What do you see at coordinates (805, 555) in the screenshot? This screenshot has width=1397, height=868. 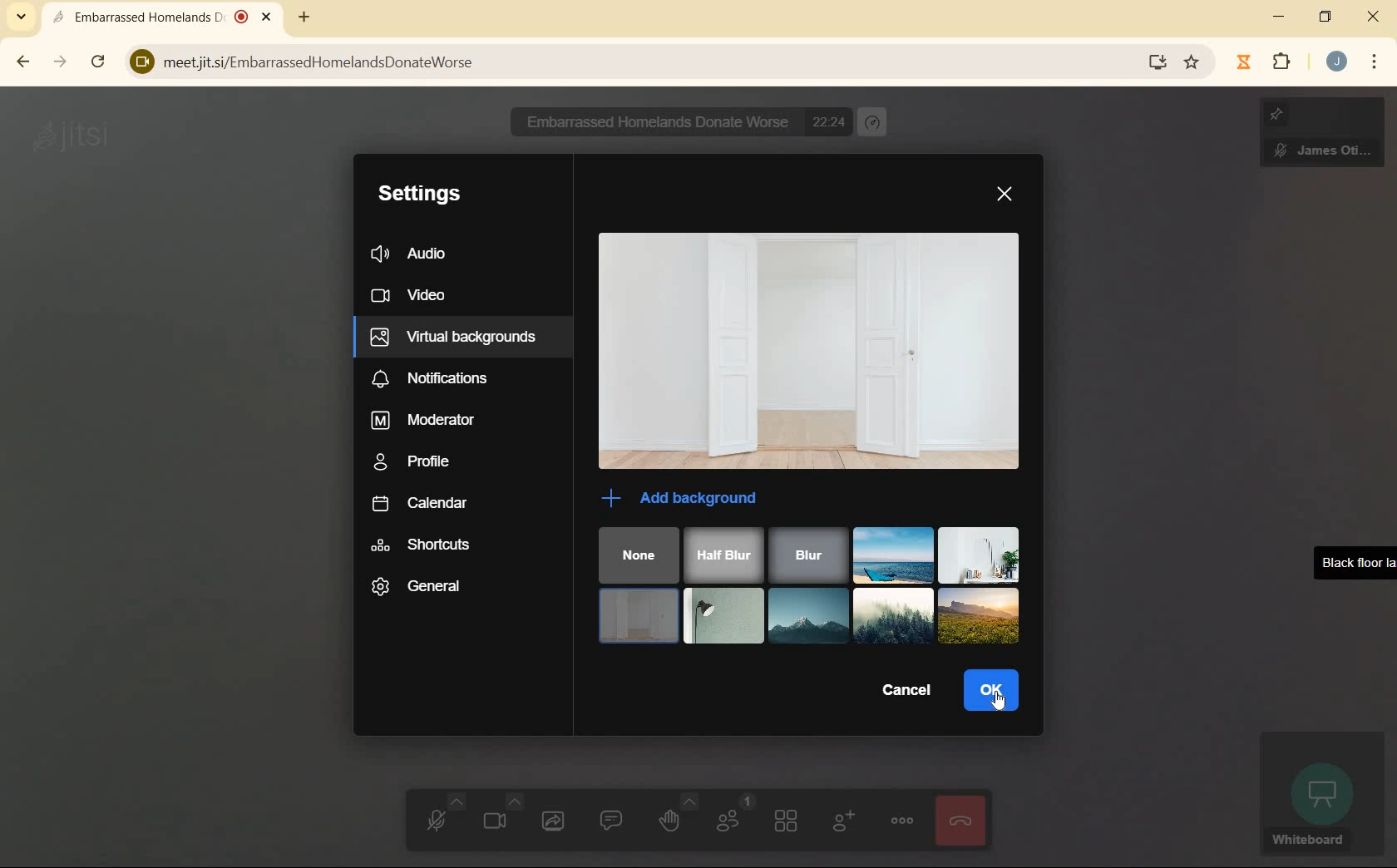 I see `blur` at bounding box center [805, 555].